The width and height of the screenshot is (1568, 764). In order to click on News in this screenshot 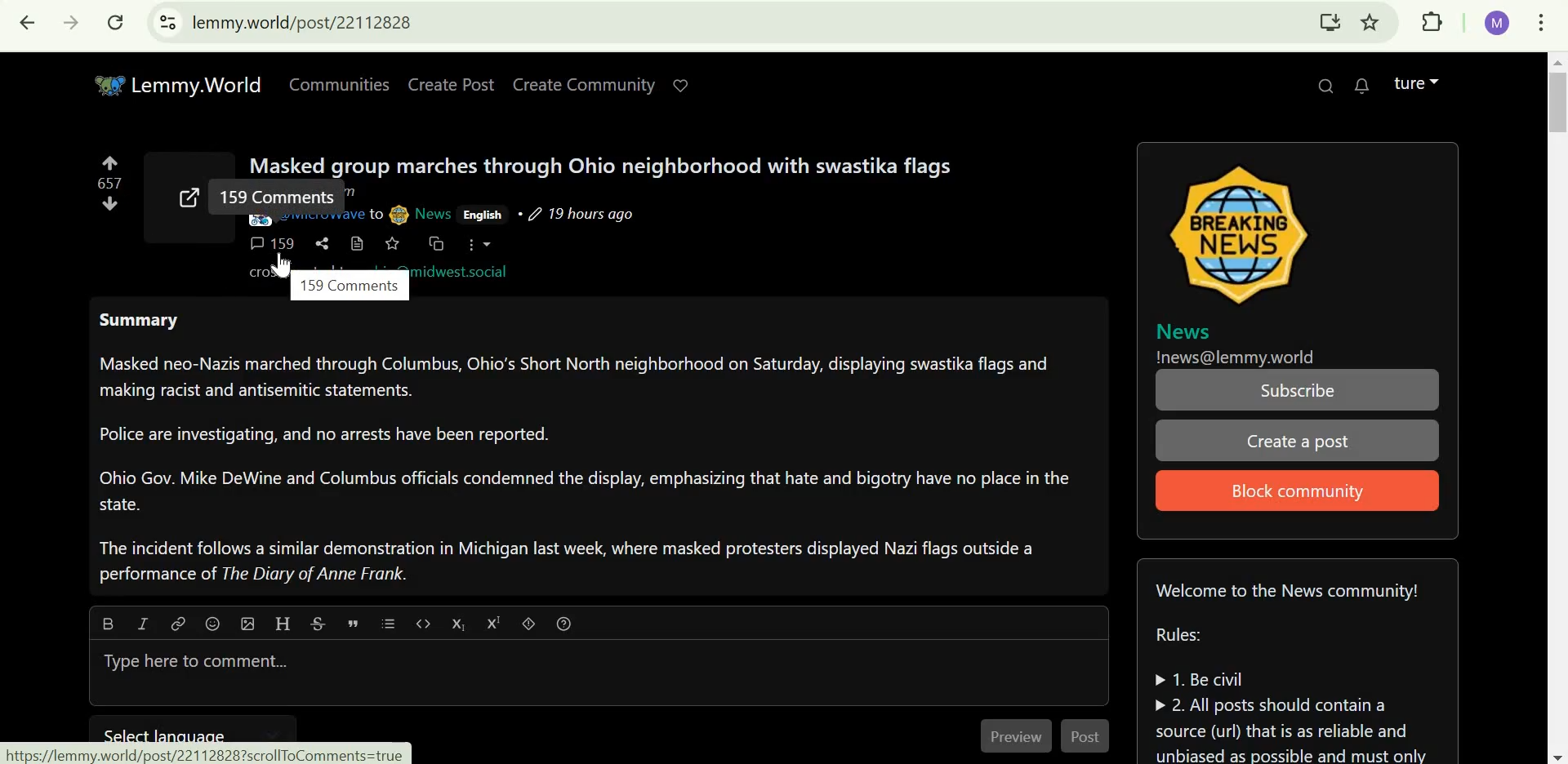, I will do `click(433, 212)`.